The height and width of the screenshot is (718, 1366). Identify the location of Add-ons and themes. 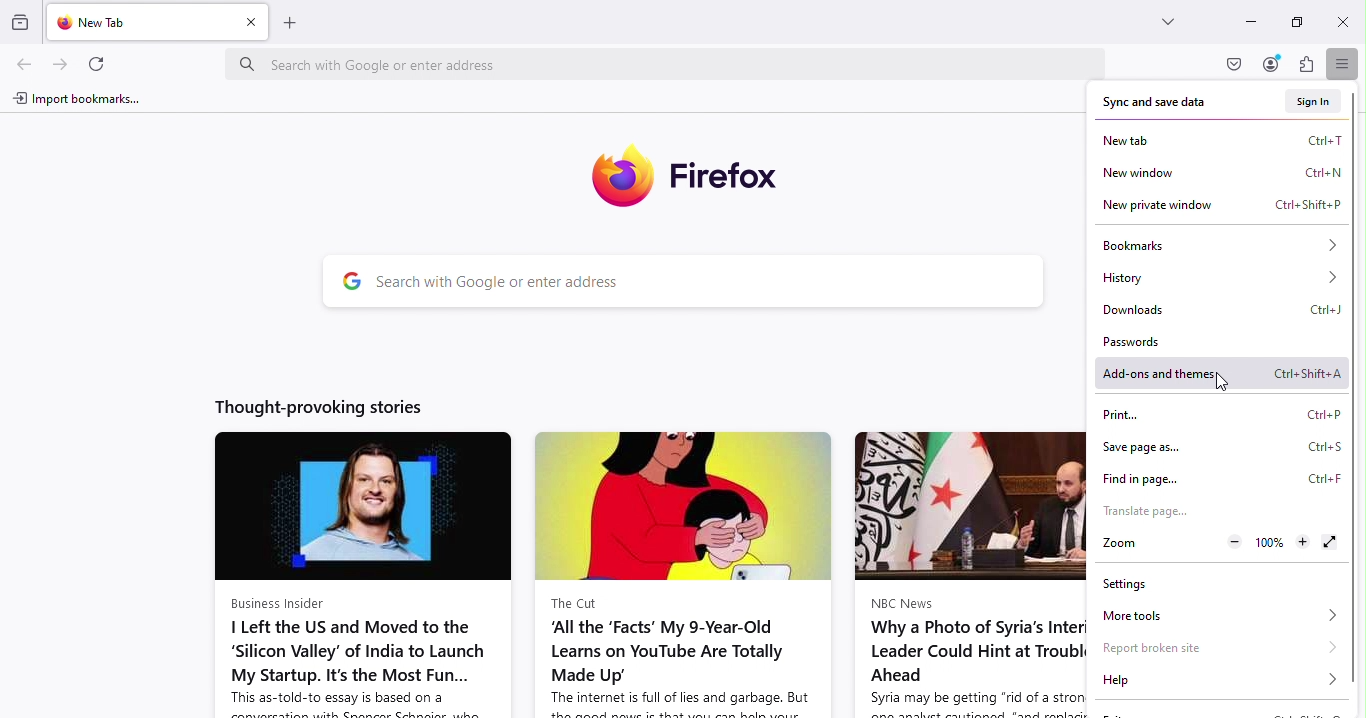
(1219, 374).